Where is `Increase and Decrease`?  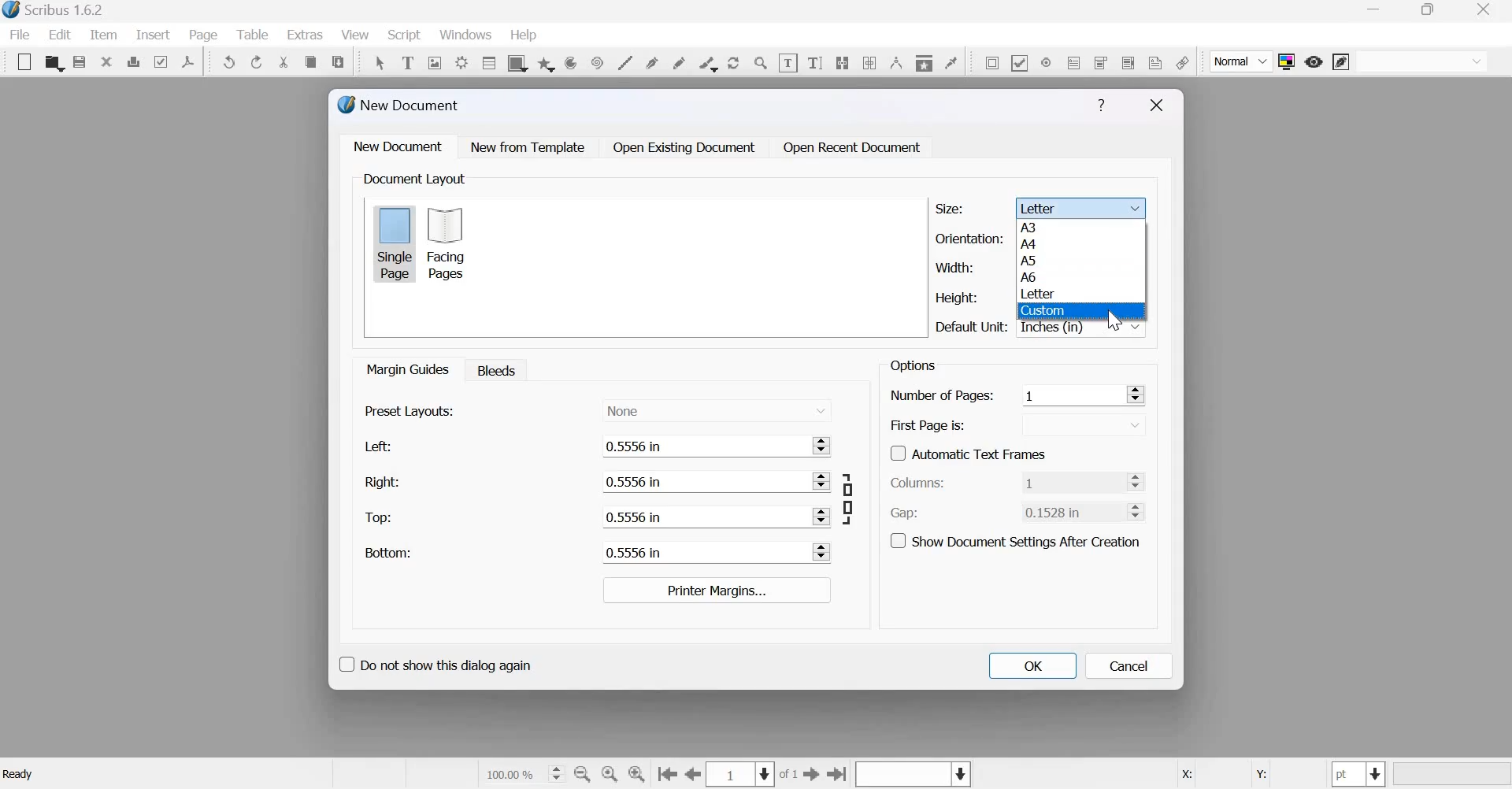
Increase and Decrease is located at coordinates (1140, 510).